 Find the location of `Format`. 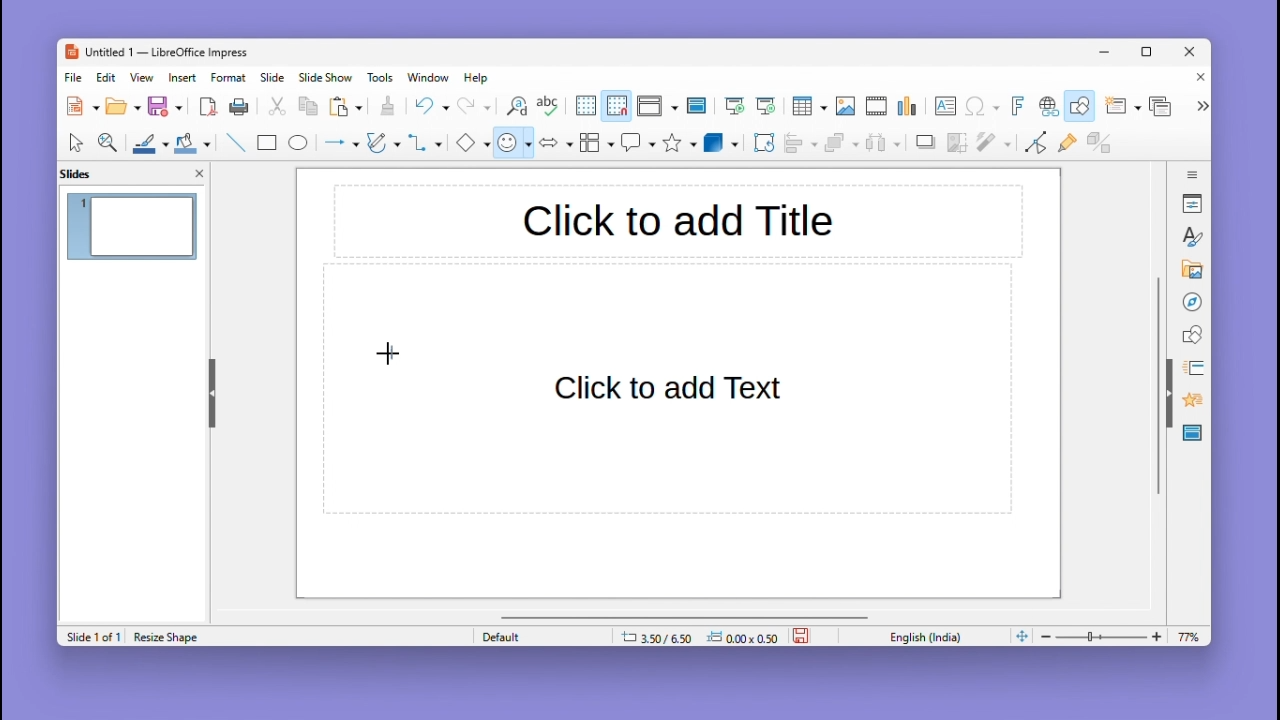

Format is located at coordinates (229, 77).